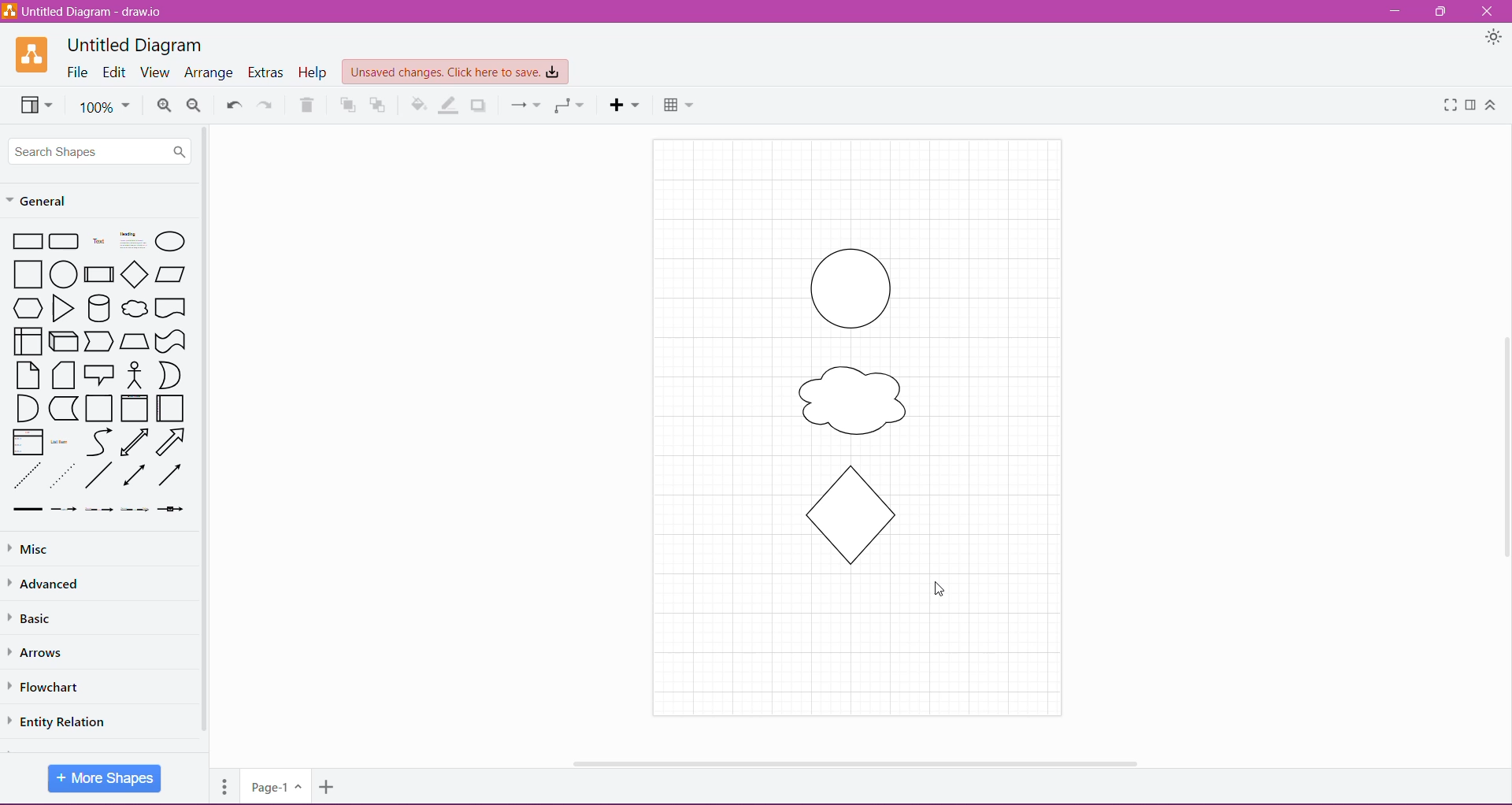 The image size is (1512, 805). What do you see at coordinates (850, 759) in the screenshot?
I see `Horizontal Scroll Bar` at bounding box center [850, 759].